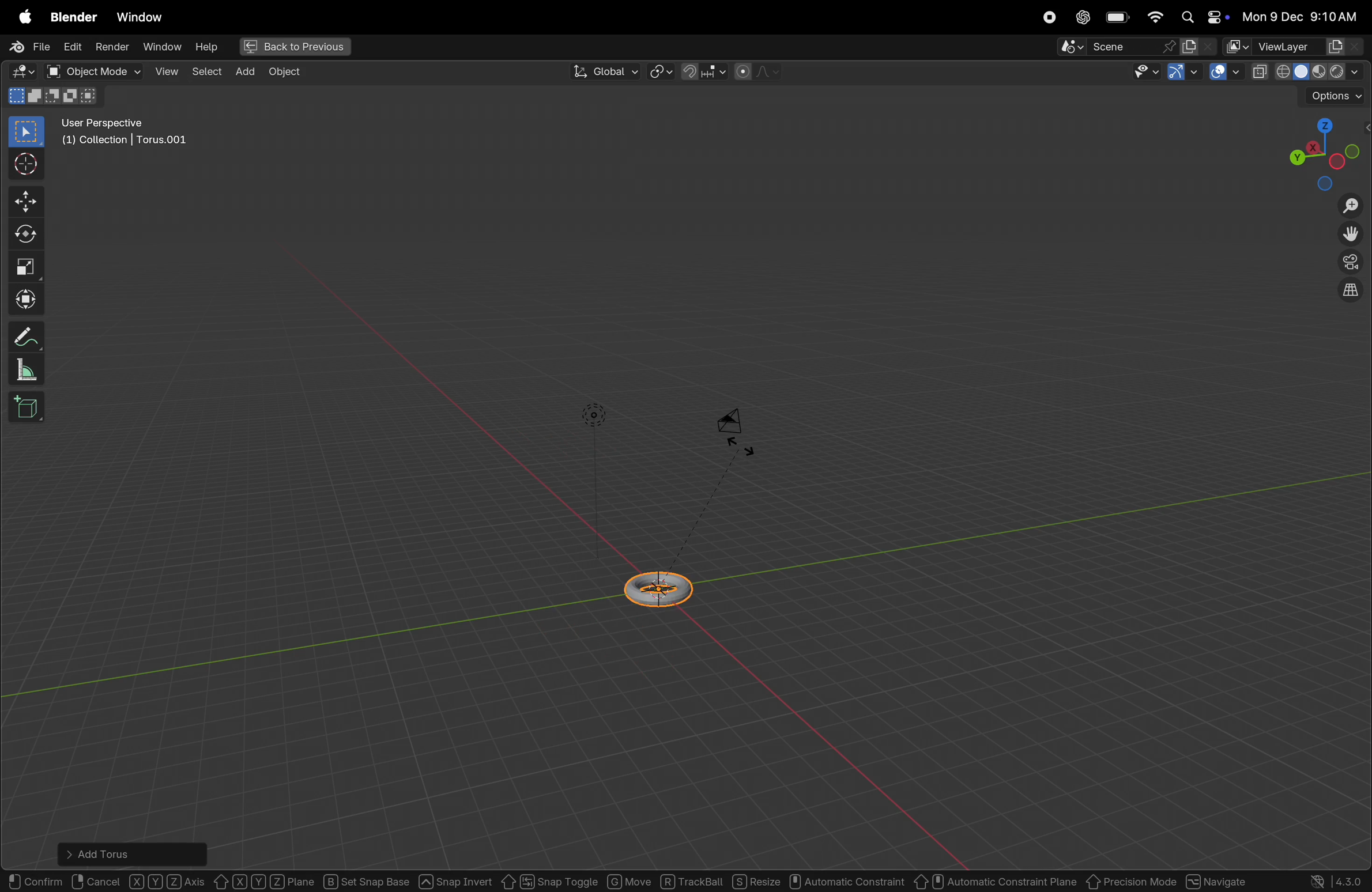 The height and width of the screenshot is (892, 1372). What do you see at coordinates (139, 17) in the screenshot?
I see `window` at bounding box center [139, 17].